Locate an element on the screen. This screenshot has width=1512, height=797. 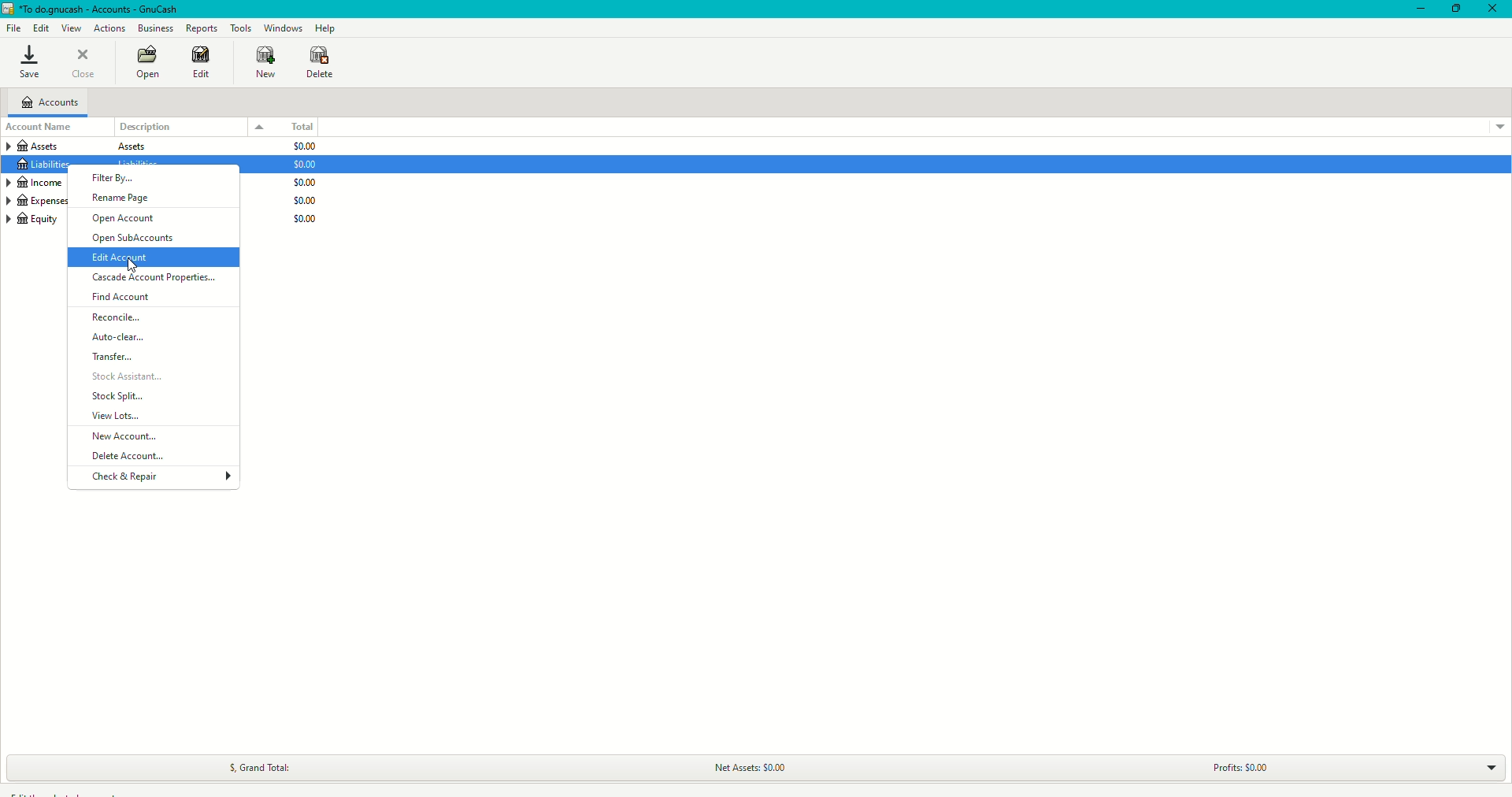
Find Account is located at coordinates (123, 298).